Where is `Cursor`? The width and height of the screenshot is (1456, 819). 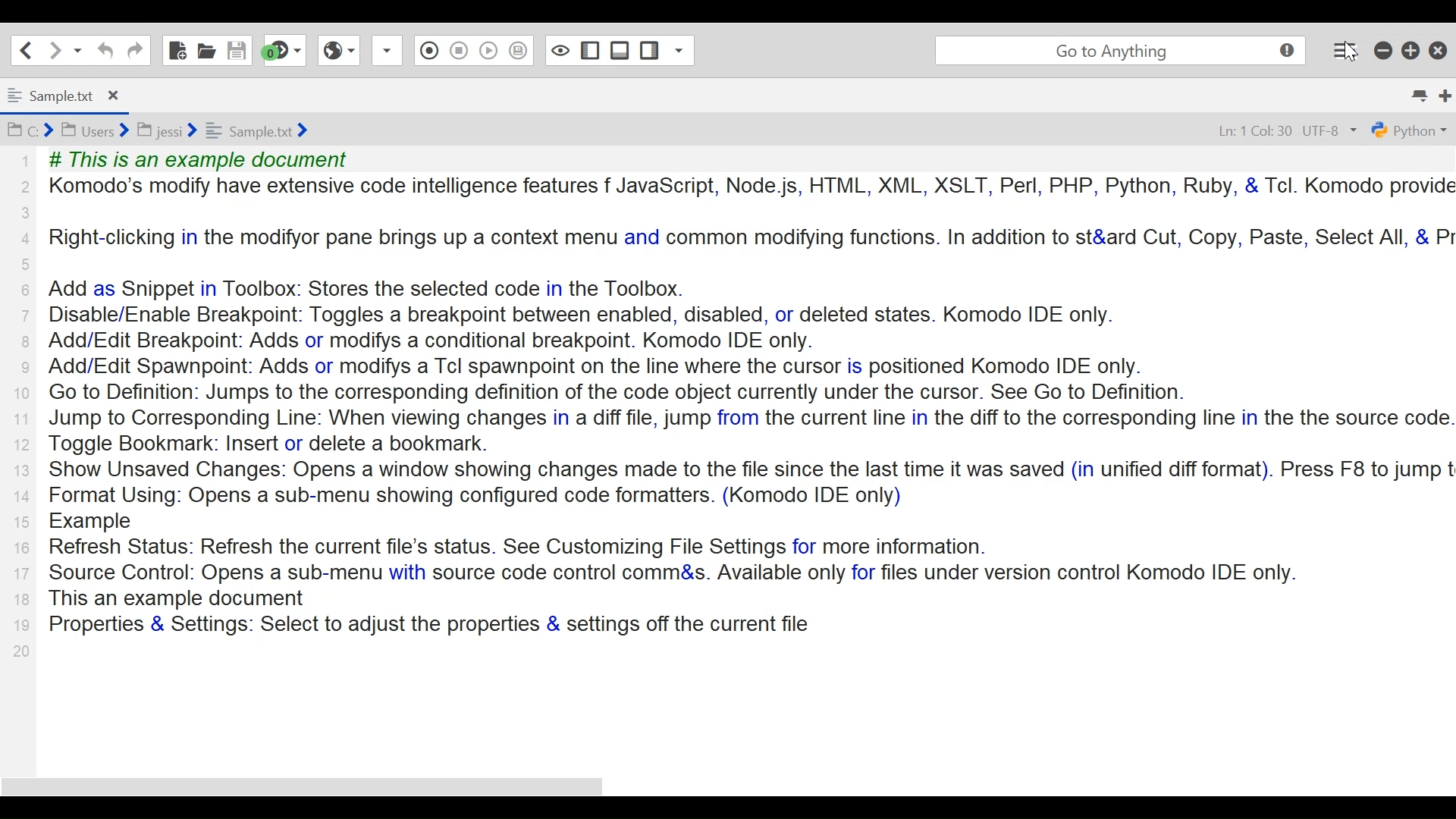 Cursor is located at coordinates (1348, 52).